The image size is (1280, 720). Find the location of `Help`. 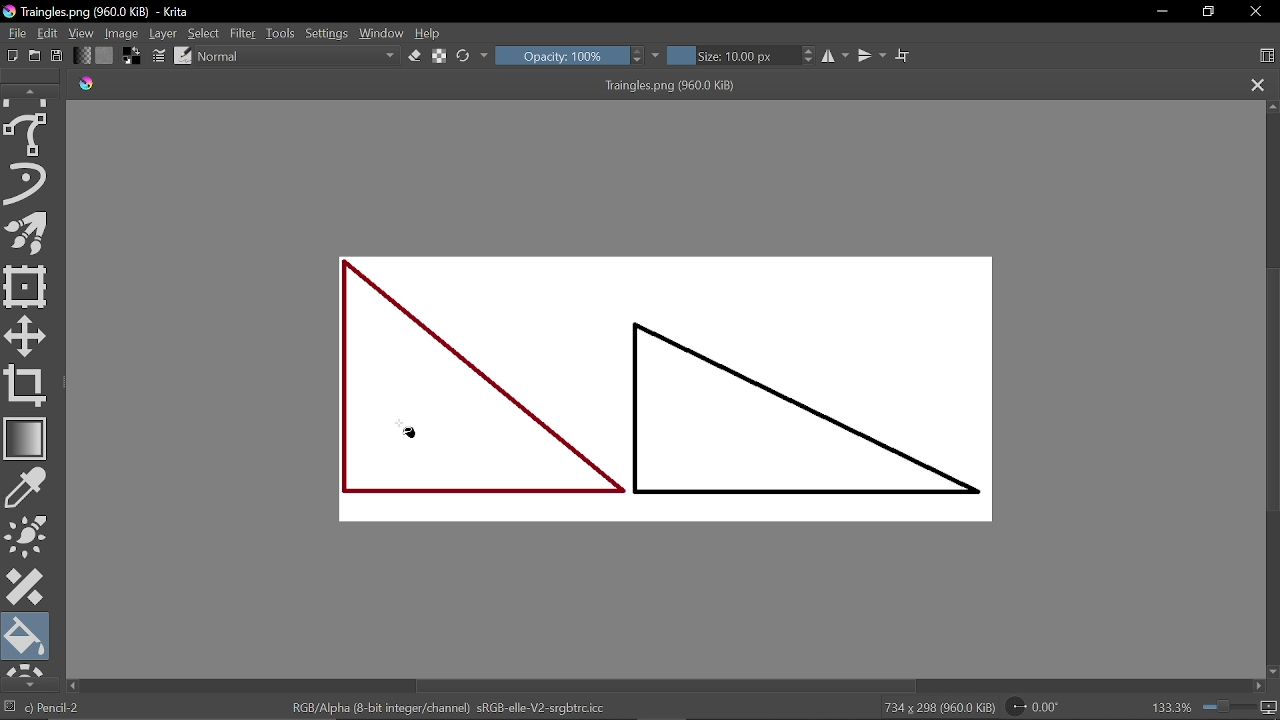

Help is located at coordinates (434, 35).